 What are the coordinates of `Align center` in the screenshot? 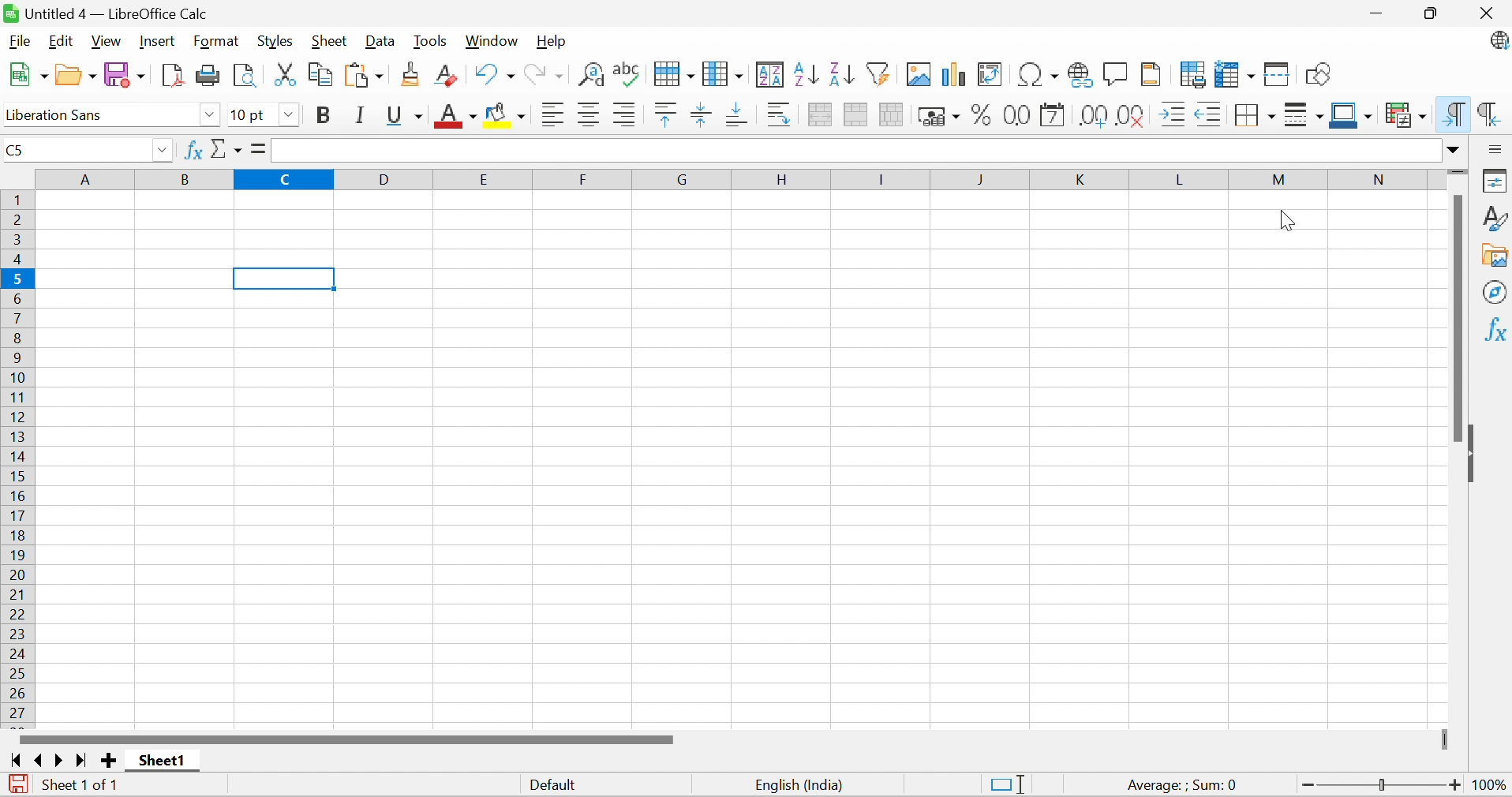 It's located at (592, 115).